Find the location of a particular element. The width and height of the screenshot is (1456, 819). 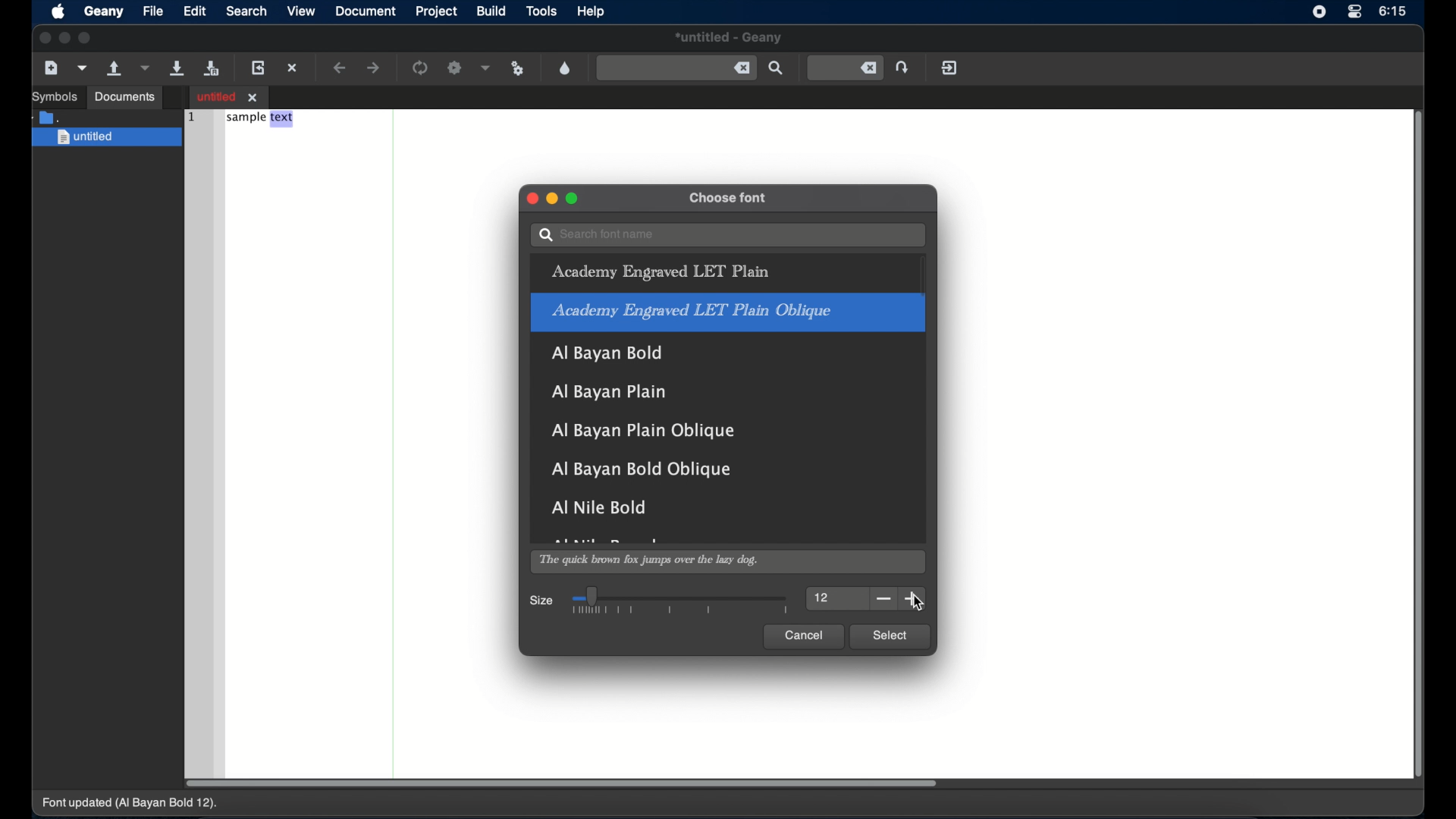

sample text is located at coordinates (261, 119).